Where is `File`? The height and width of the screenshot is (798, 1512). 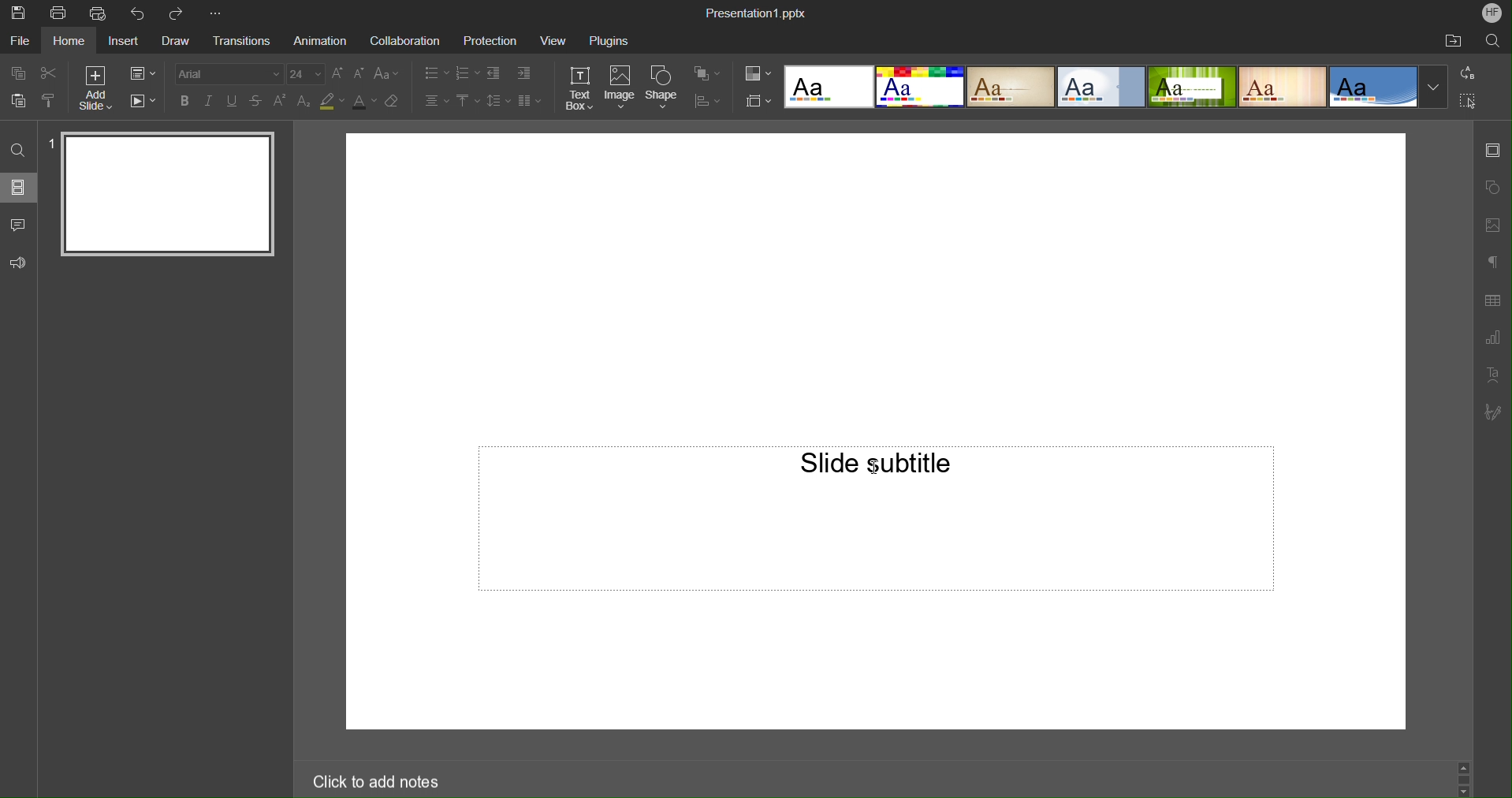 File is located at coordinates (20, 42).